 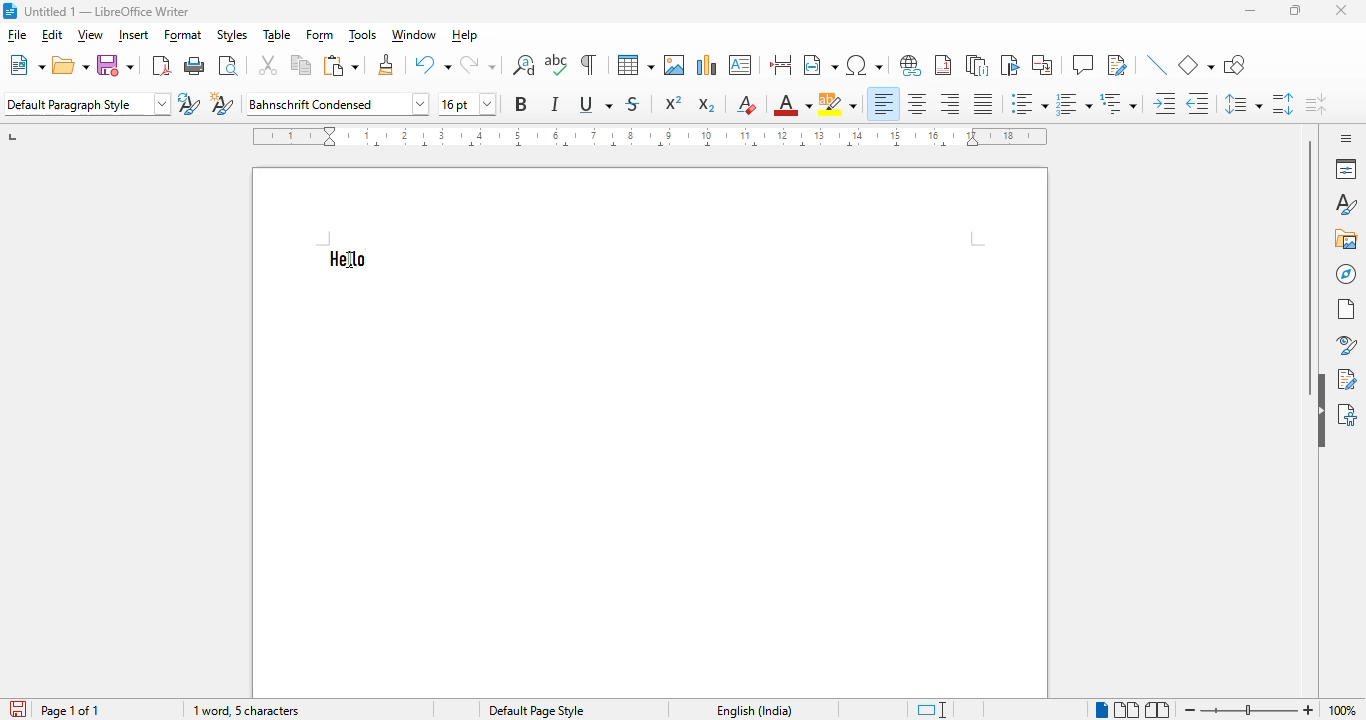 What do you see at coordinates (1029, 104) in the screenshot?
I see `toggle unordered list` at bounding box center [1029, 104].